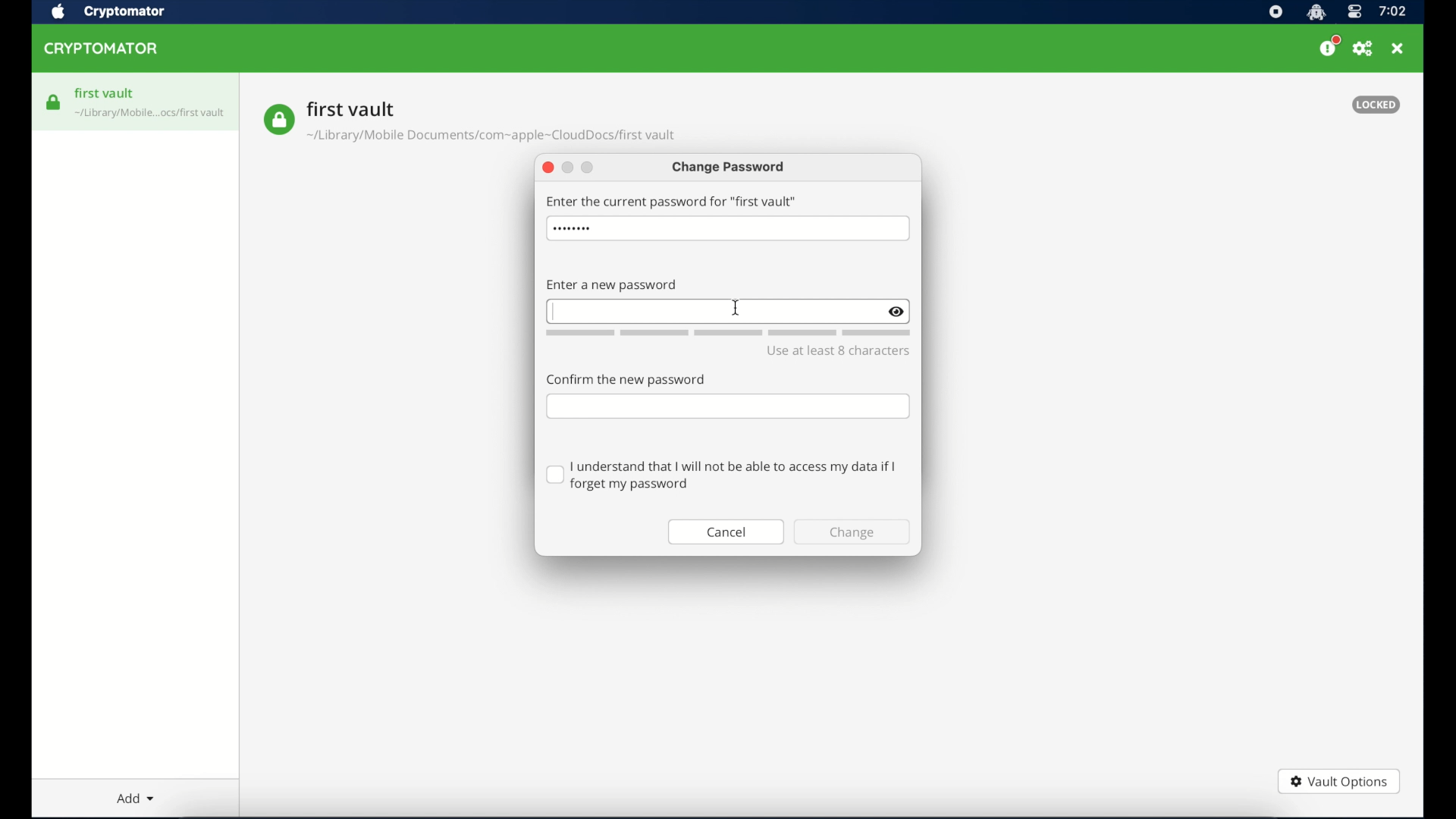 The image size is (1456, 819). I want to click on checkbox, so click(723, 475).